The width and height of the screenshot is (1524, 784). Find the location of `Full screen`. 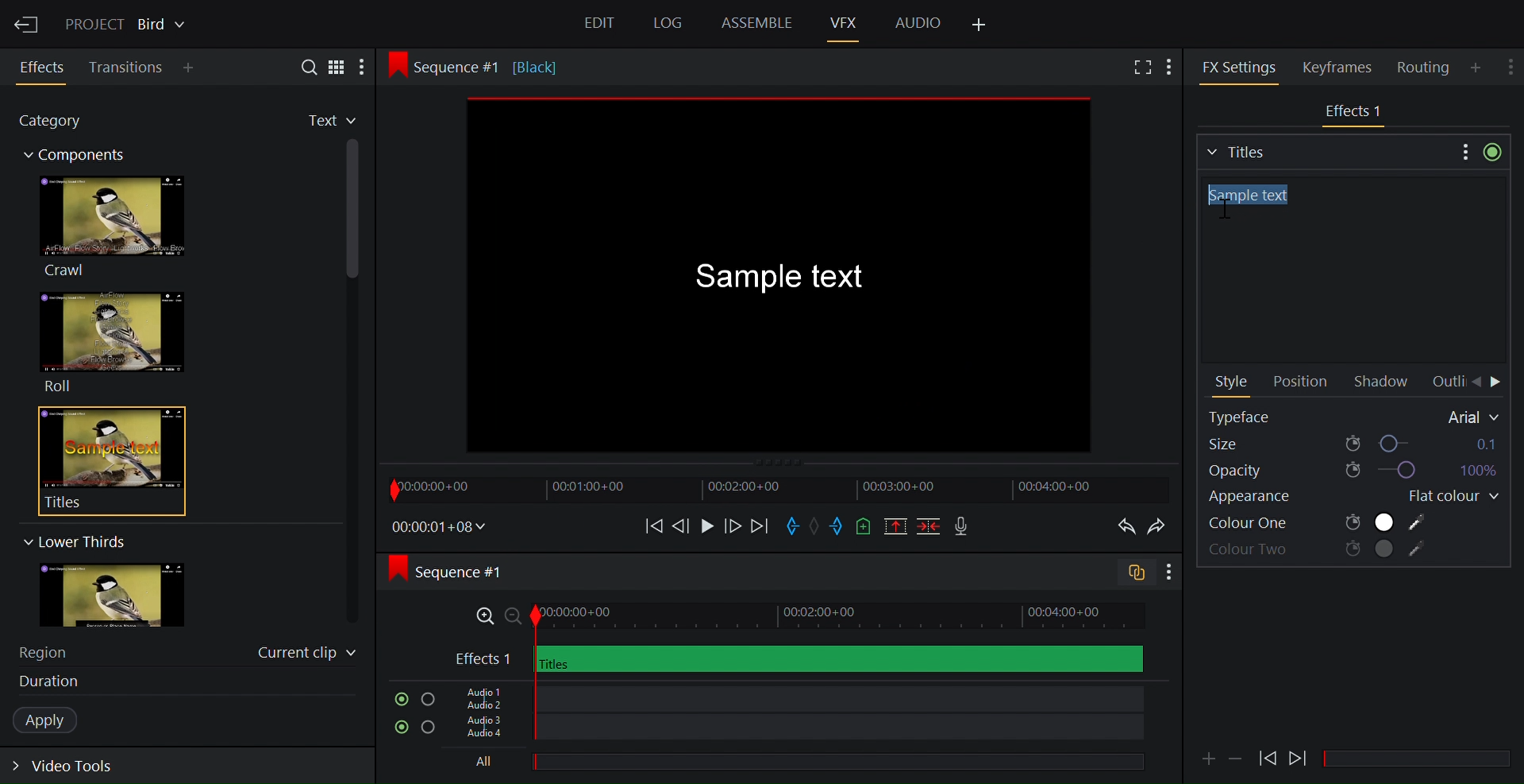

Full screen is located at coordinates (1140, 68).